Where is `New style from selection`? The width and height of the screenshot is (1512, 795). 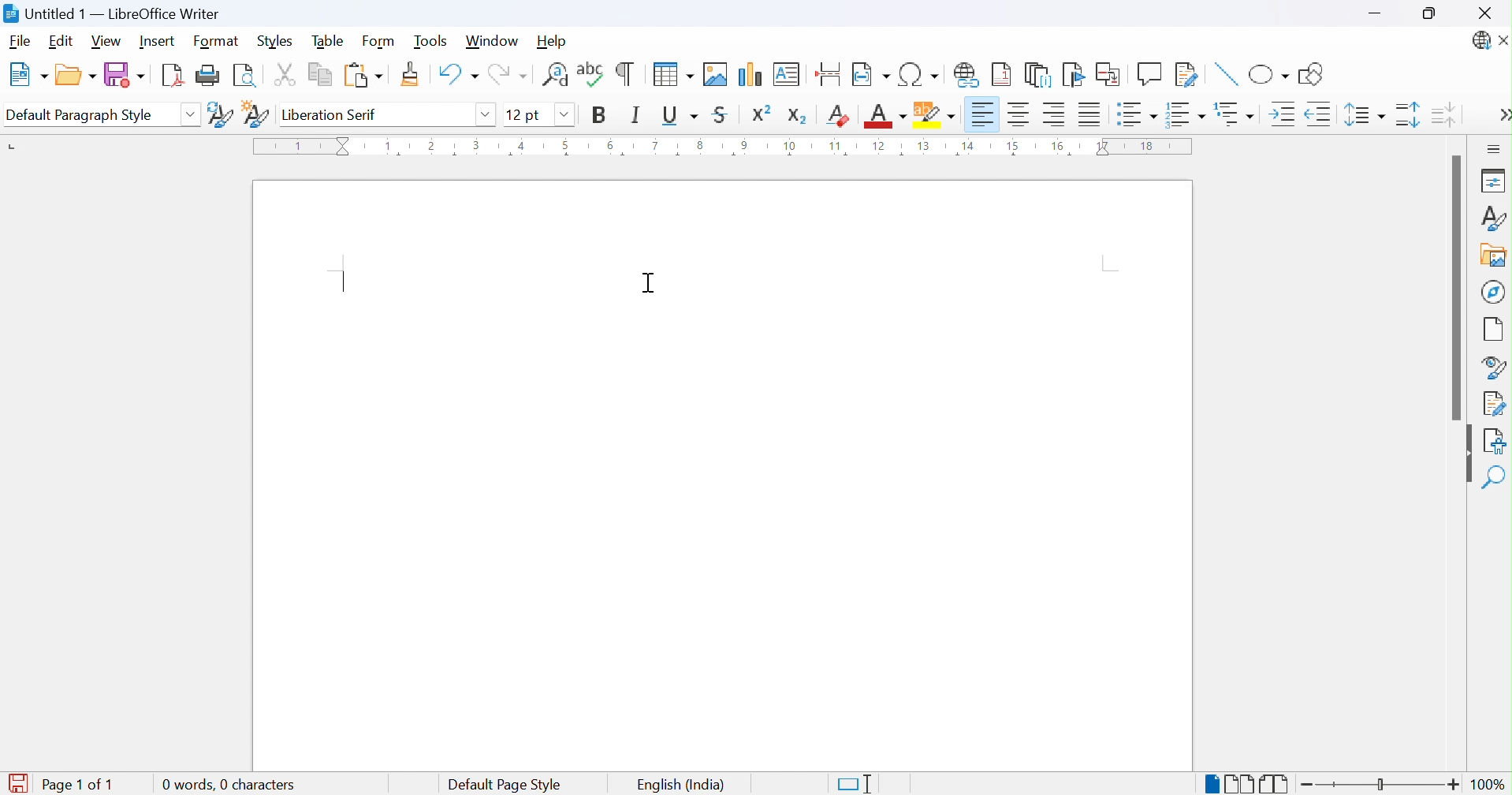
New style from selection is located at coordinates (257, 114).